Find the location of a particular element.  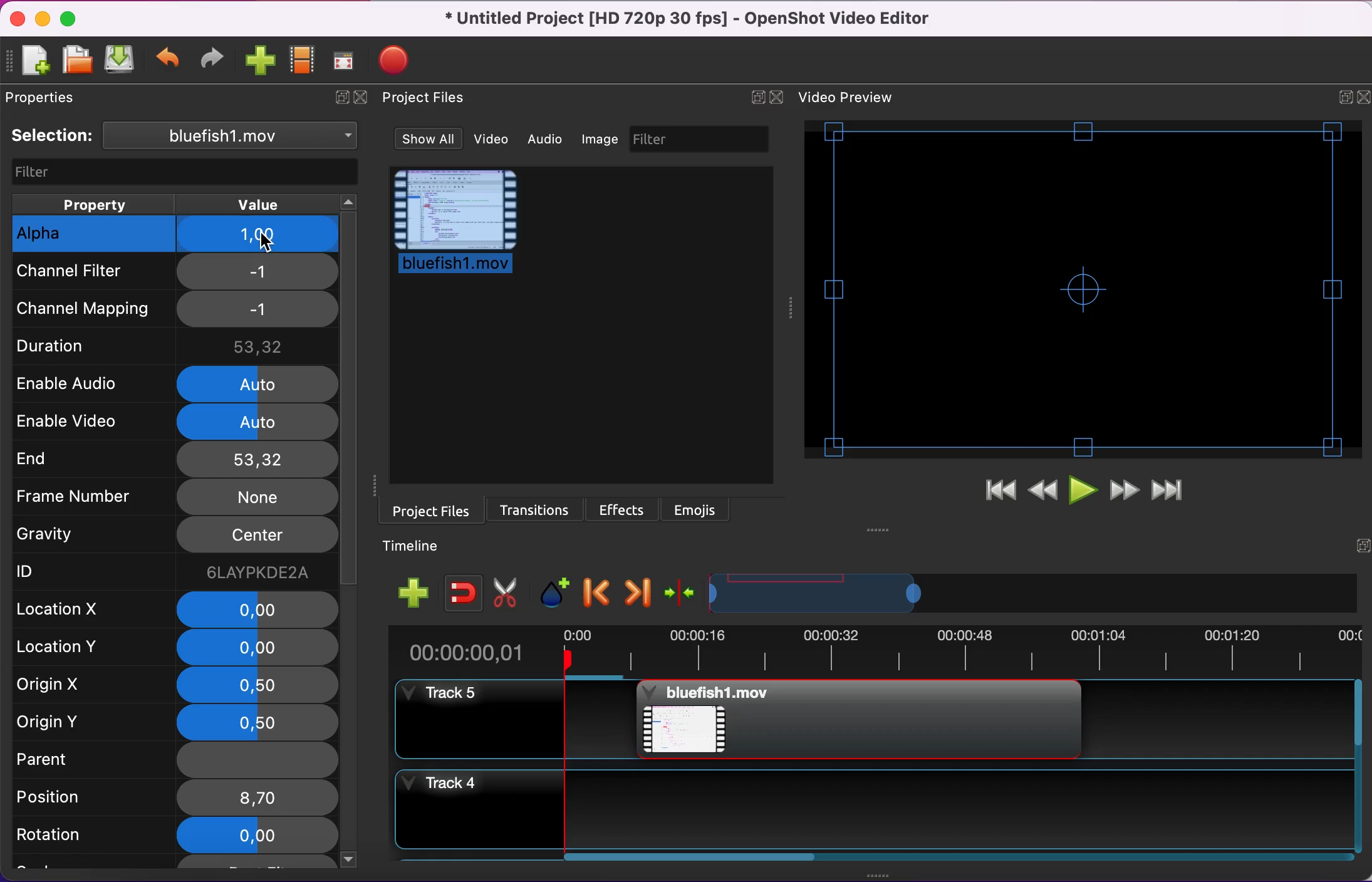

choose profile is located at coordinates (305, 60).